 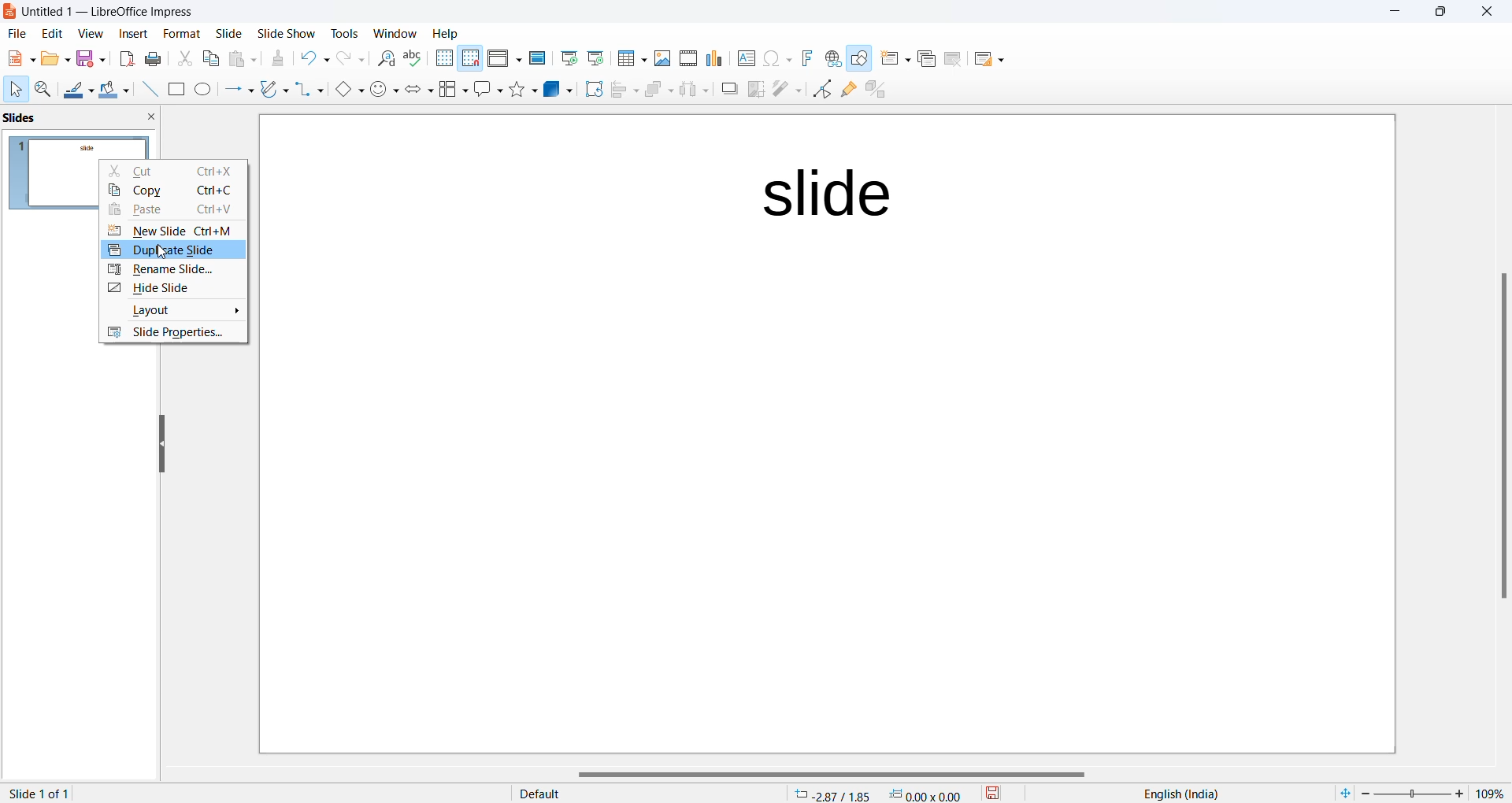 What do you see at coordinates (384, 59) in the screenshot?
I see `Find and replace` at bounding box center [384, 59].